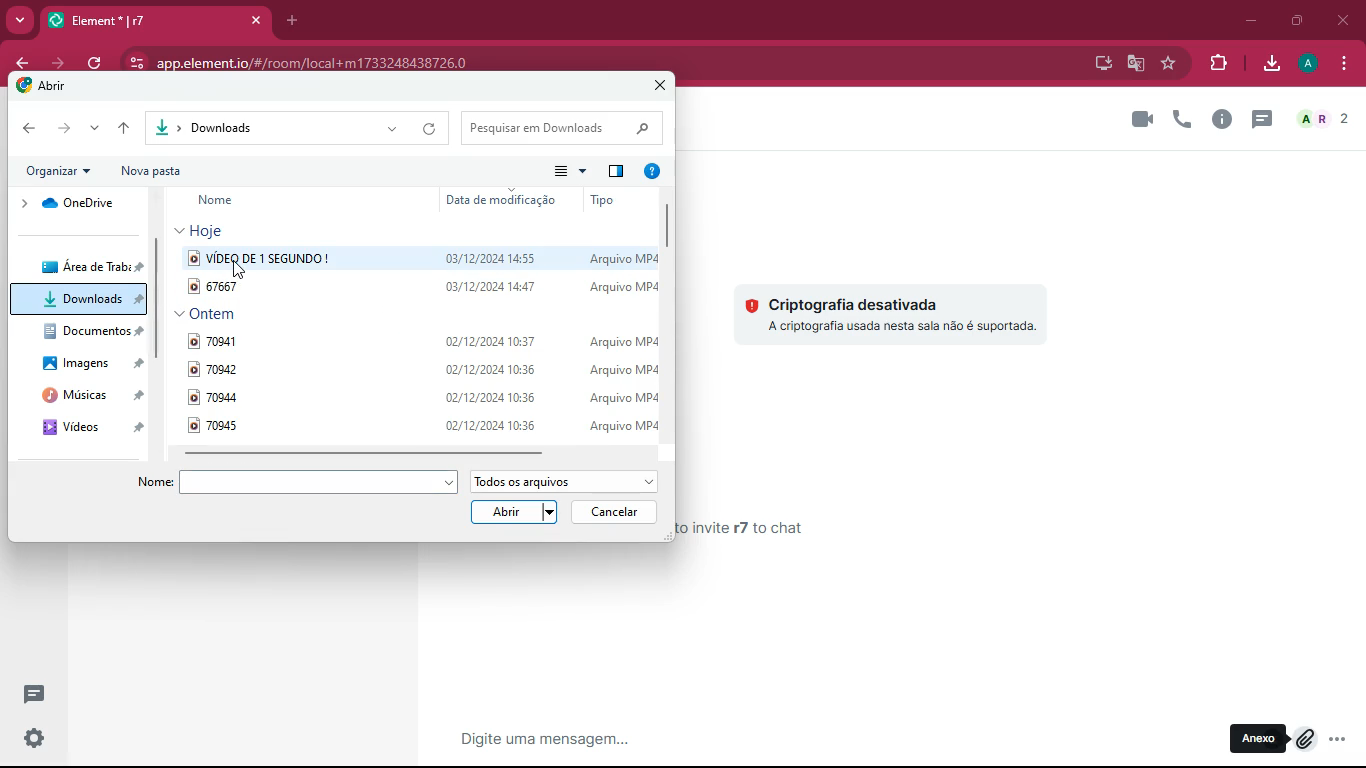 The width and height of the screenshot is (1366, 768). Describe the element at coordinates (1296, 20) in the screenshot. I see `maximize` at that location.